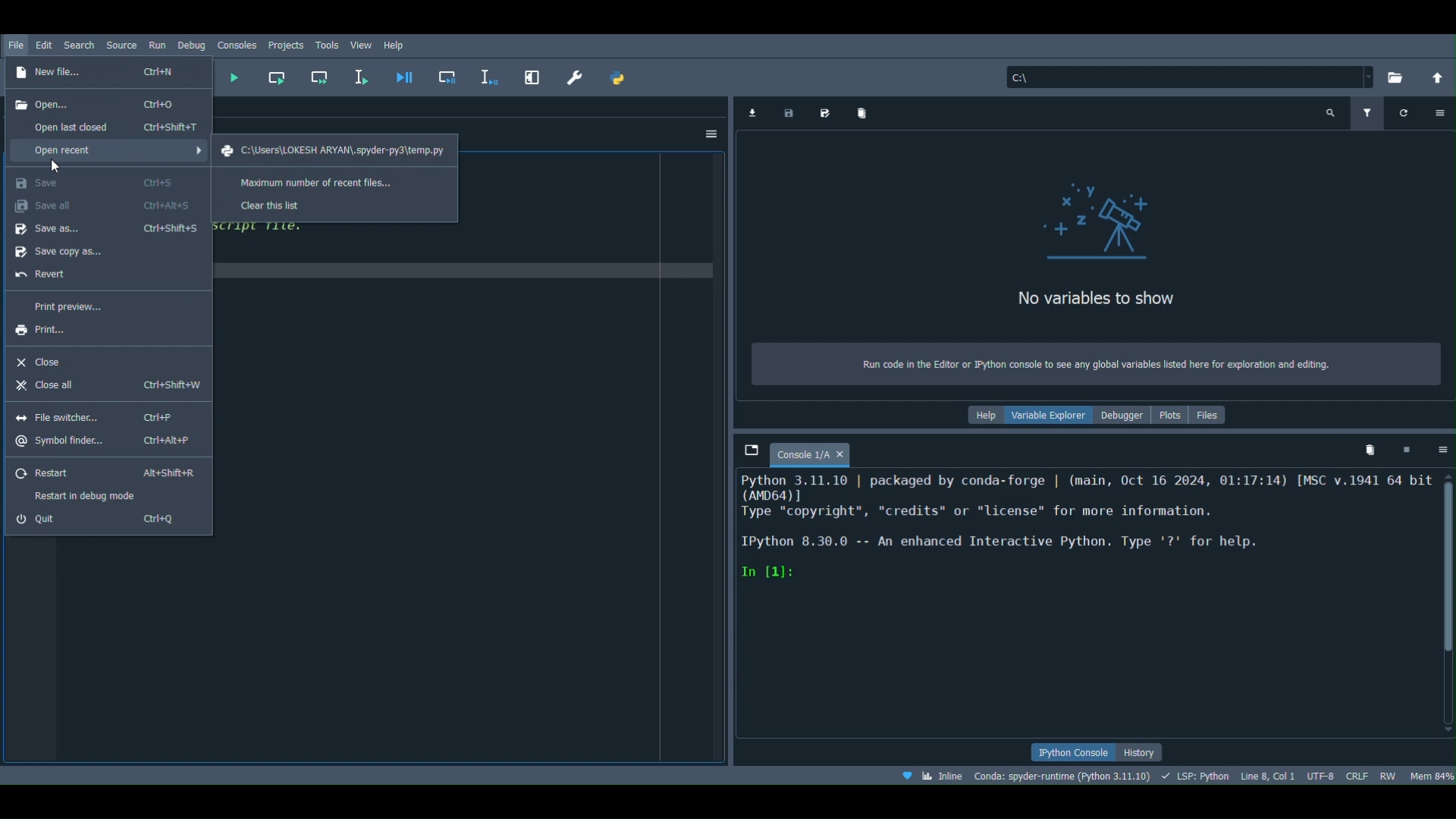 This screenshot has width=1456, height=819. What do you see at coordinates (706, 132) in the screenshot?
I see `Options` at bounding box center [706, 132].